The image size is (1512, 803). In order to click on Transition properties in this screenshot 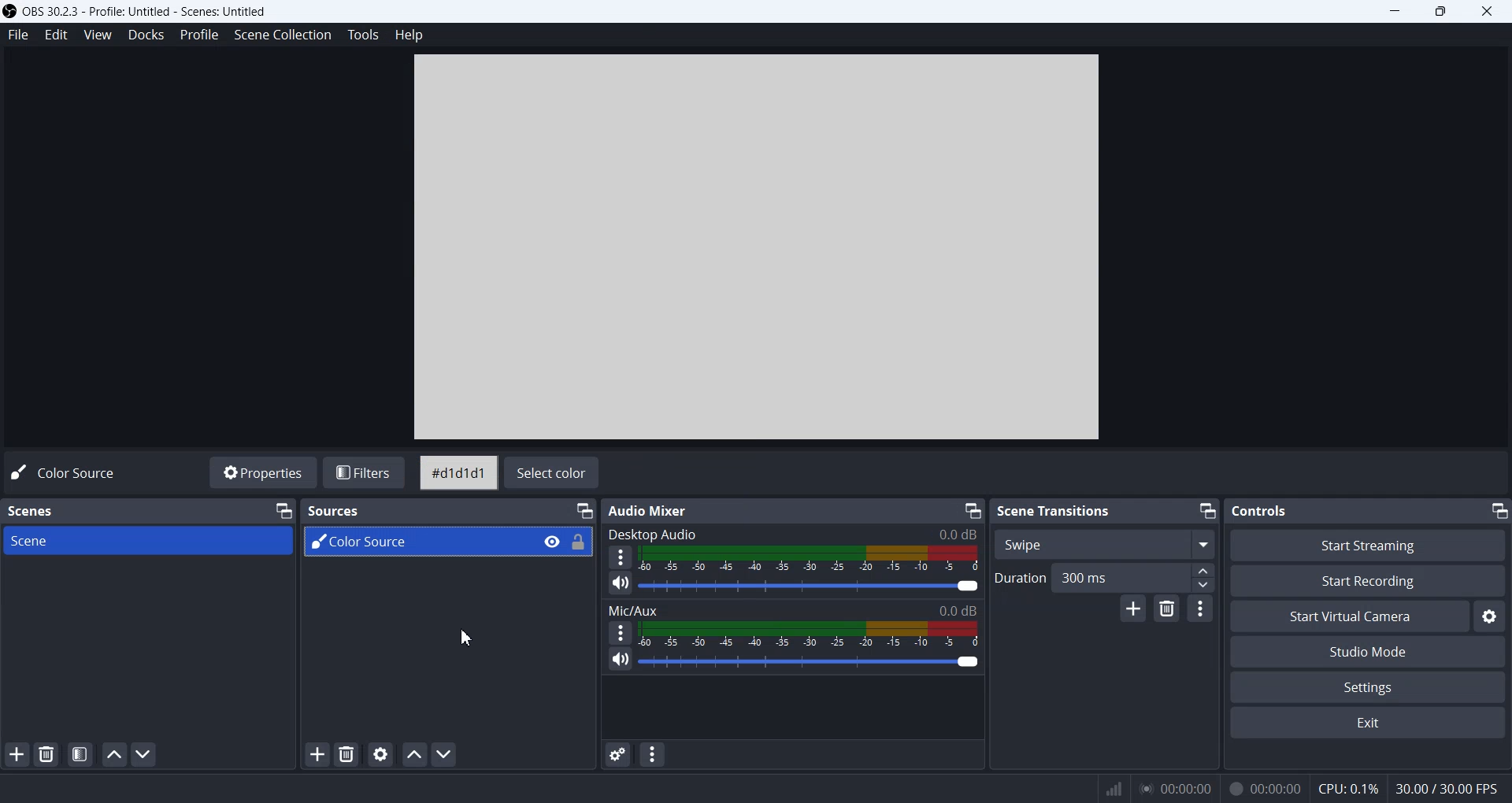, I will do `click(1200, 608)`.